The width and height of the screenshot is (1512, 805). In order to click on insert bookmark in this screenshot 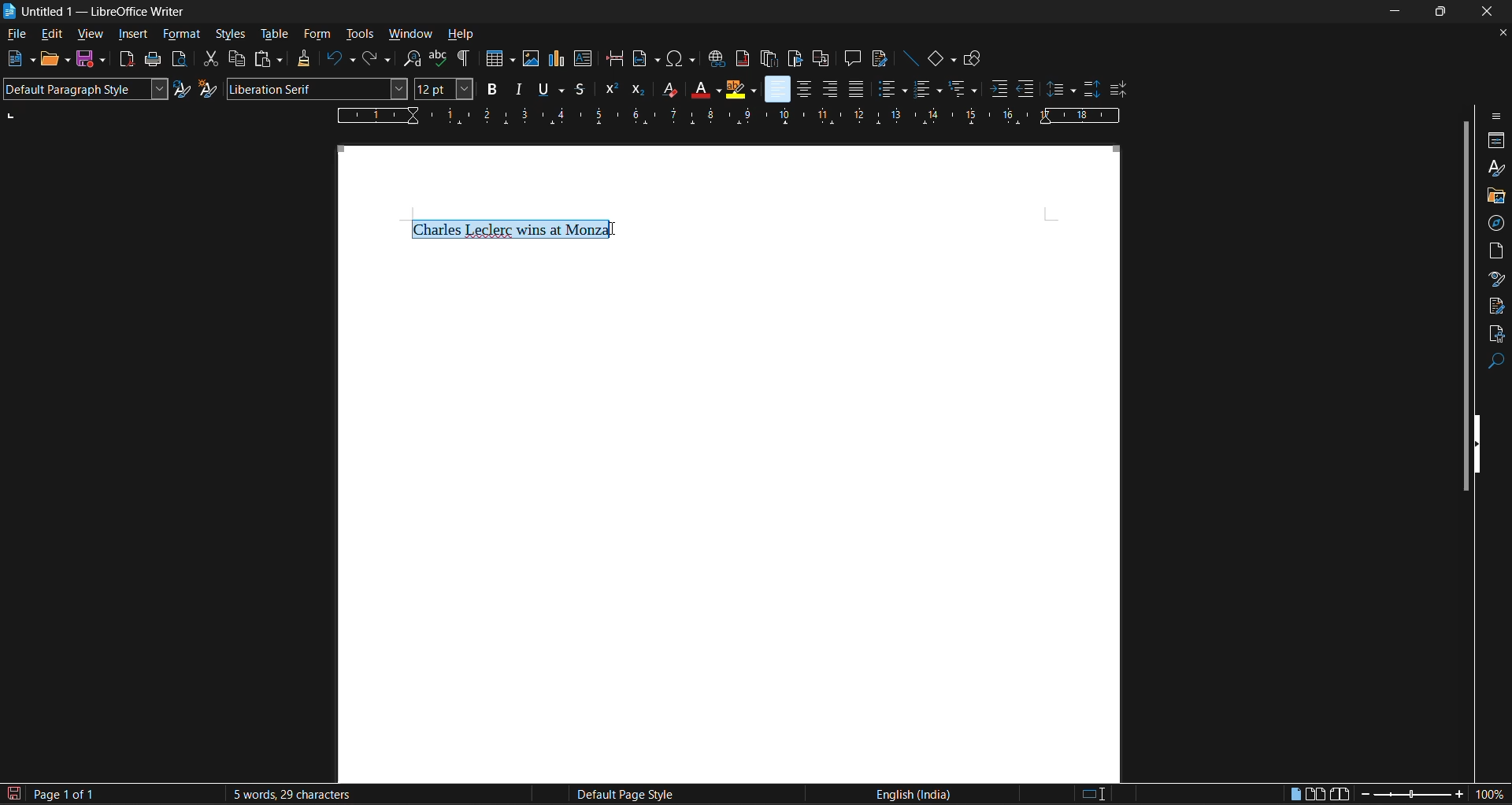, I will do `click(795, 61)`.